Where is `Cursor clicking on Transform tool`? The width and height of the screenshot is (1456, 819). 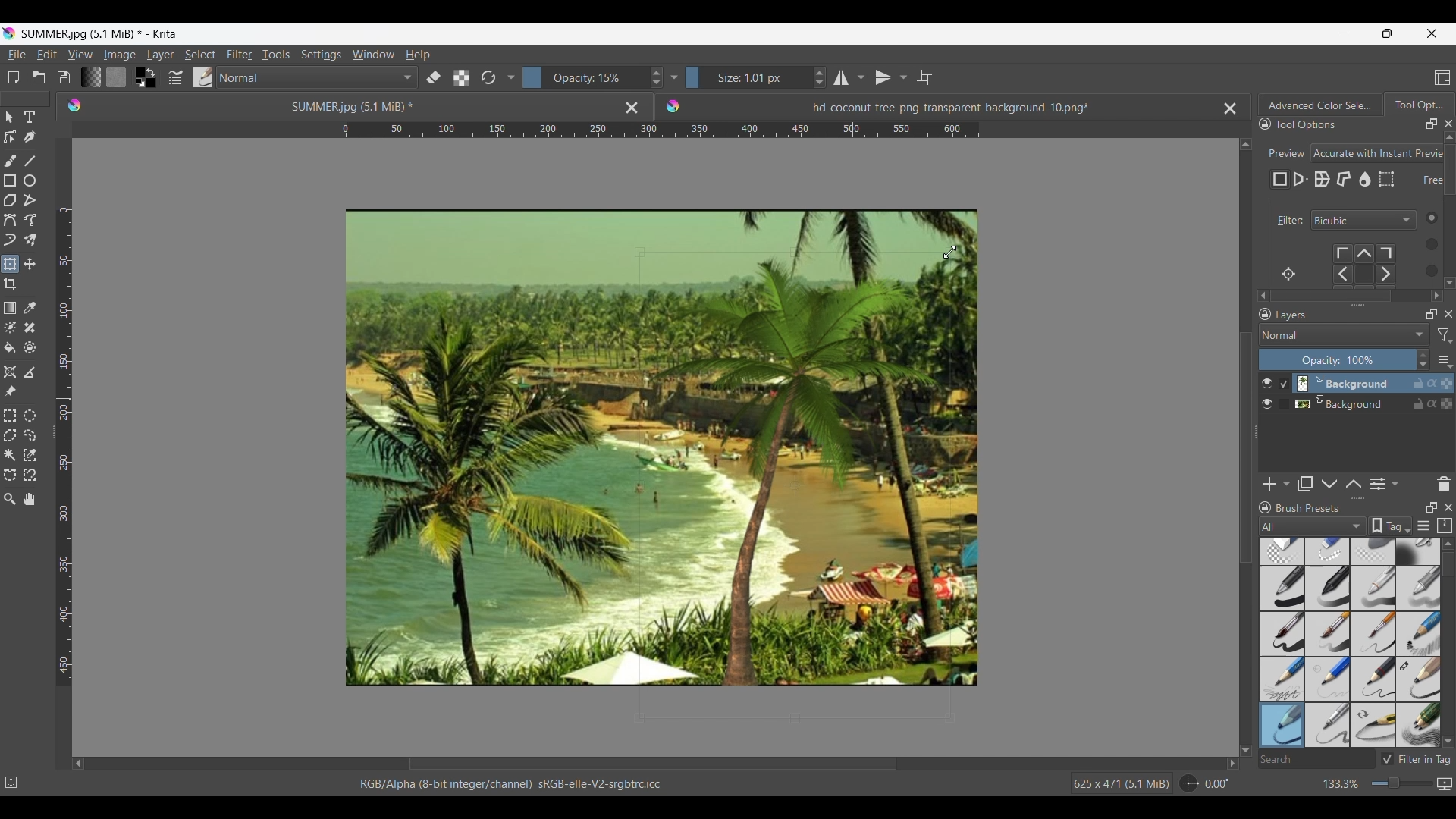 Cursor clicking on Transform tool is located at coordinates (13, 270).